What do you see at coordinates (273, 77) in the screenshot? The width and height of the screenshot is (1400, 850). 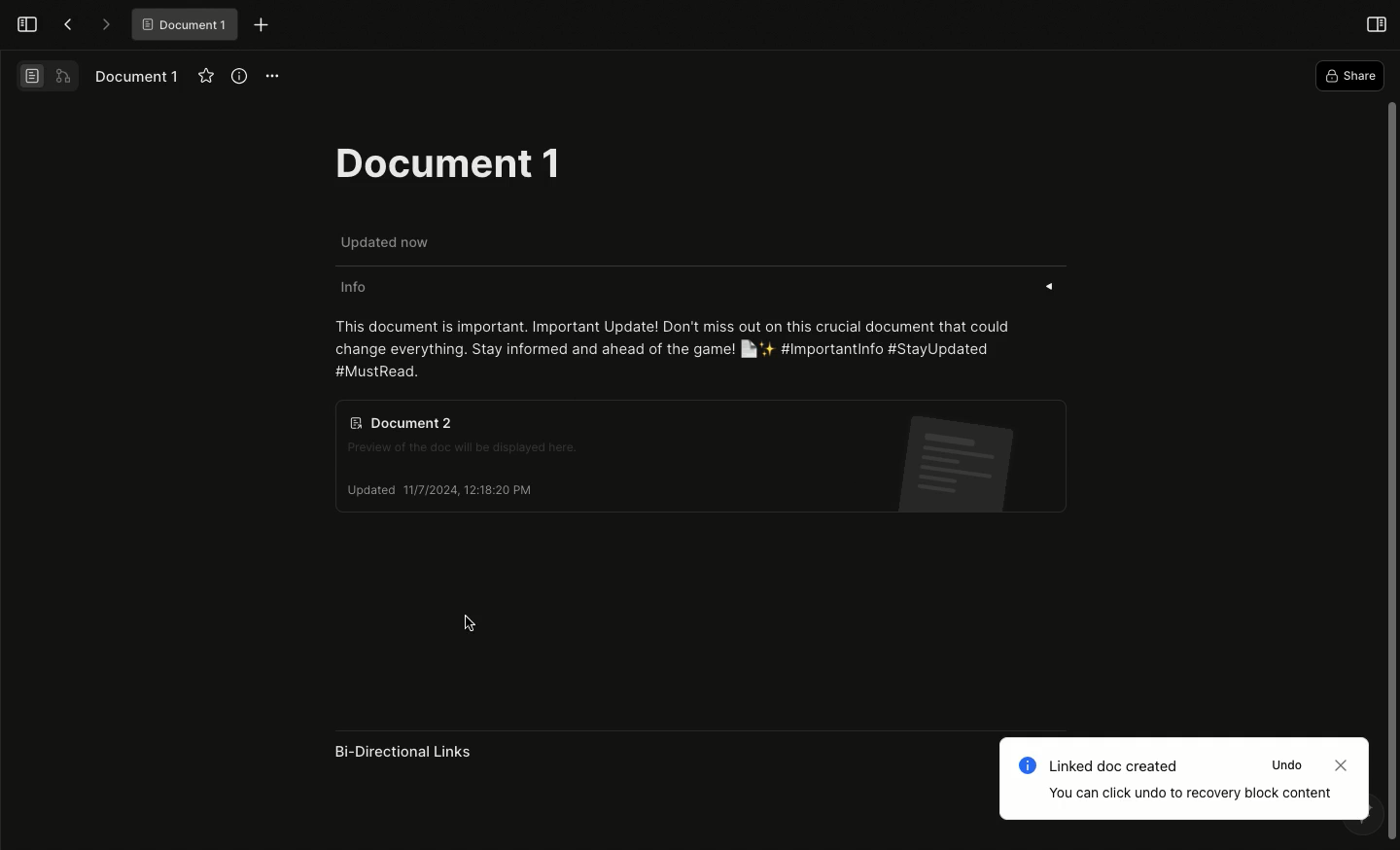 I see `Options` at bounding box center [273, 77].